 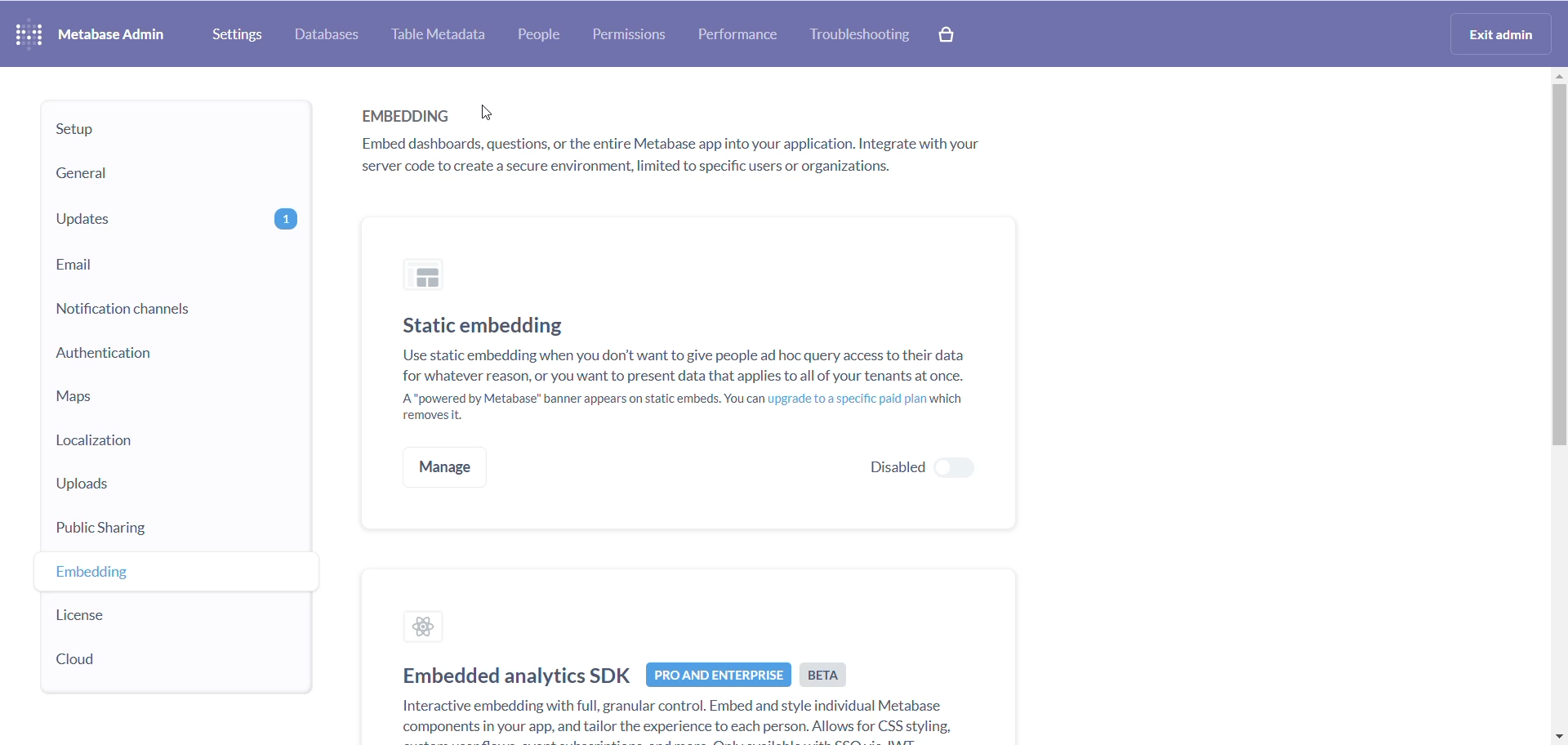 What do you see at coordinates (158, 355) in the screenshot?
I see `authentication` at bounding box center [158, 355].